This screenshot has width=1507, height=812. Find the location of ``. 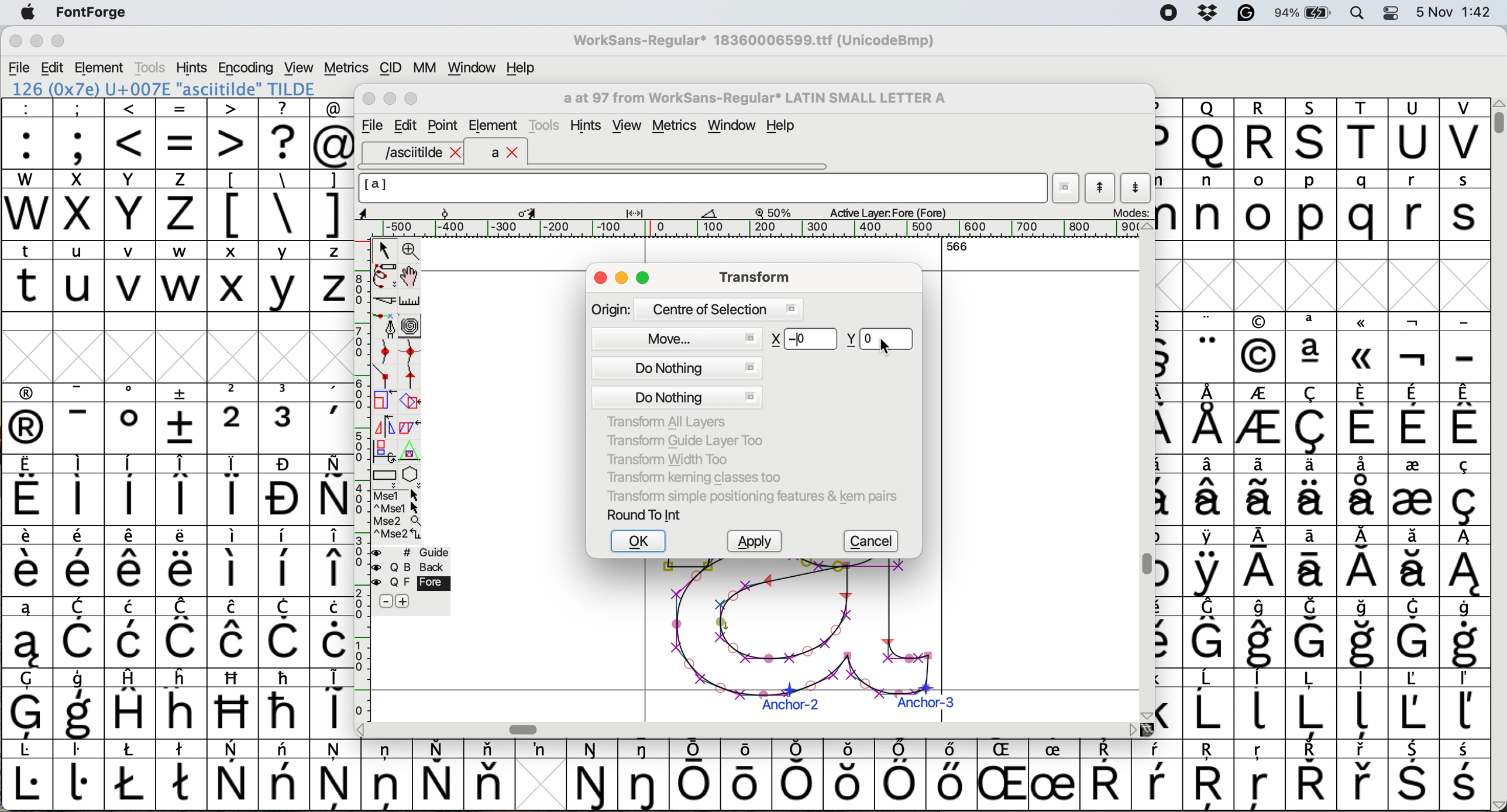

 is located at coordinates (234, 703).